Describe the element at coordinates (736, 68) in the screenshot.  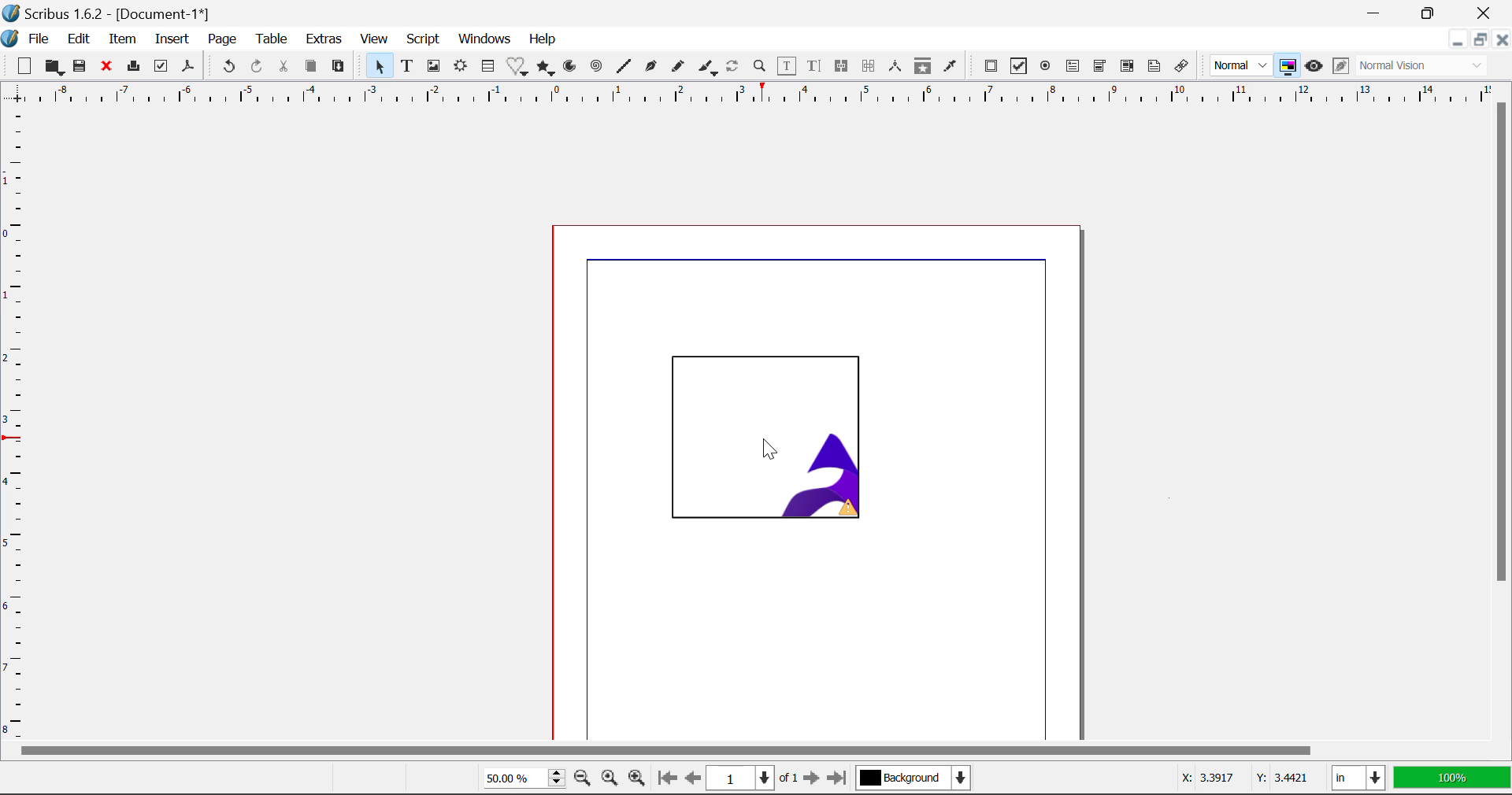
I see `Refresh` at that location.